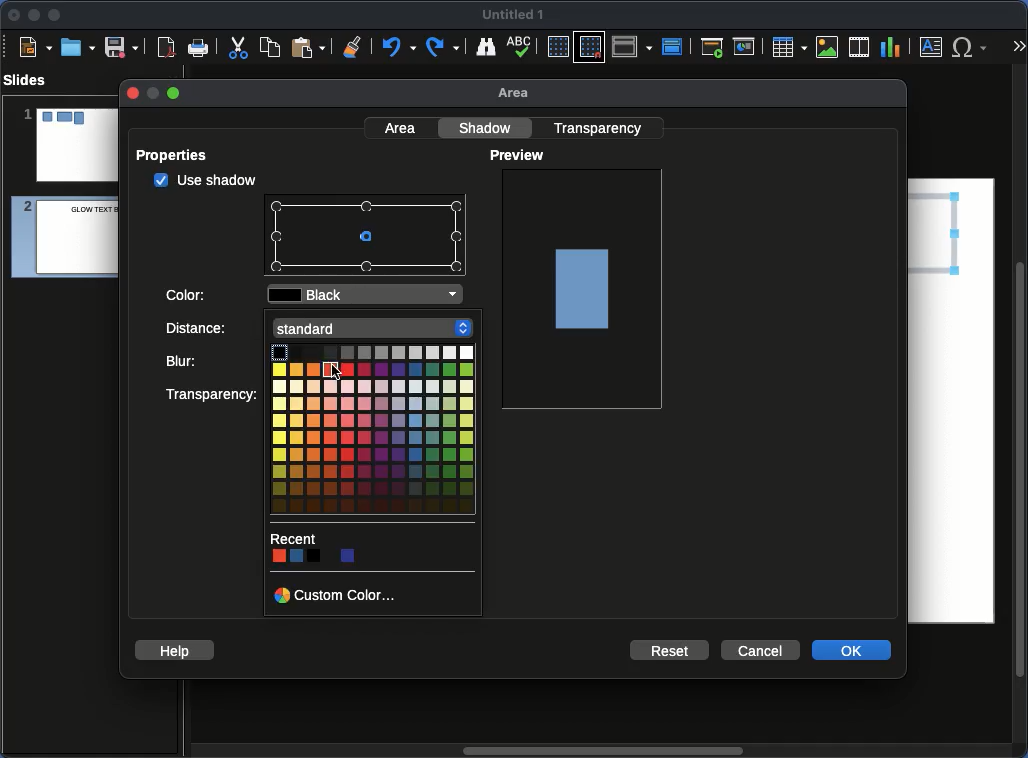  Describe the element at coordinates (712, 47) in the screenshot. I see `First slide` at that location.